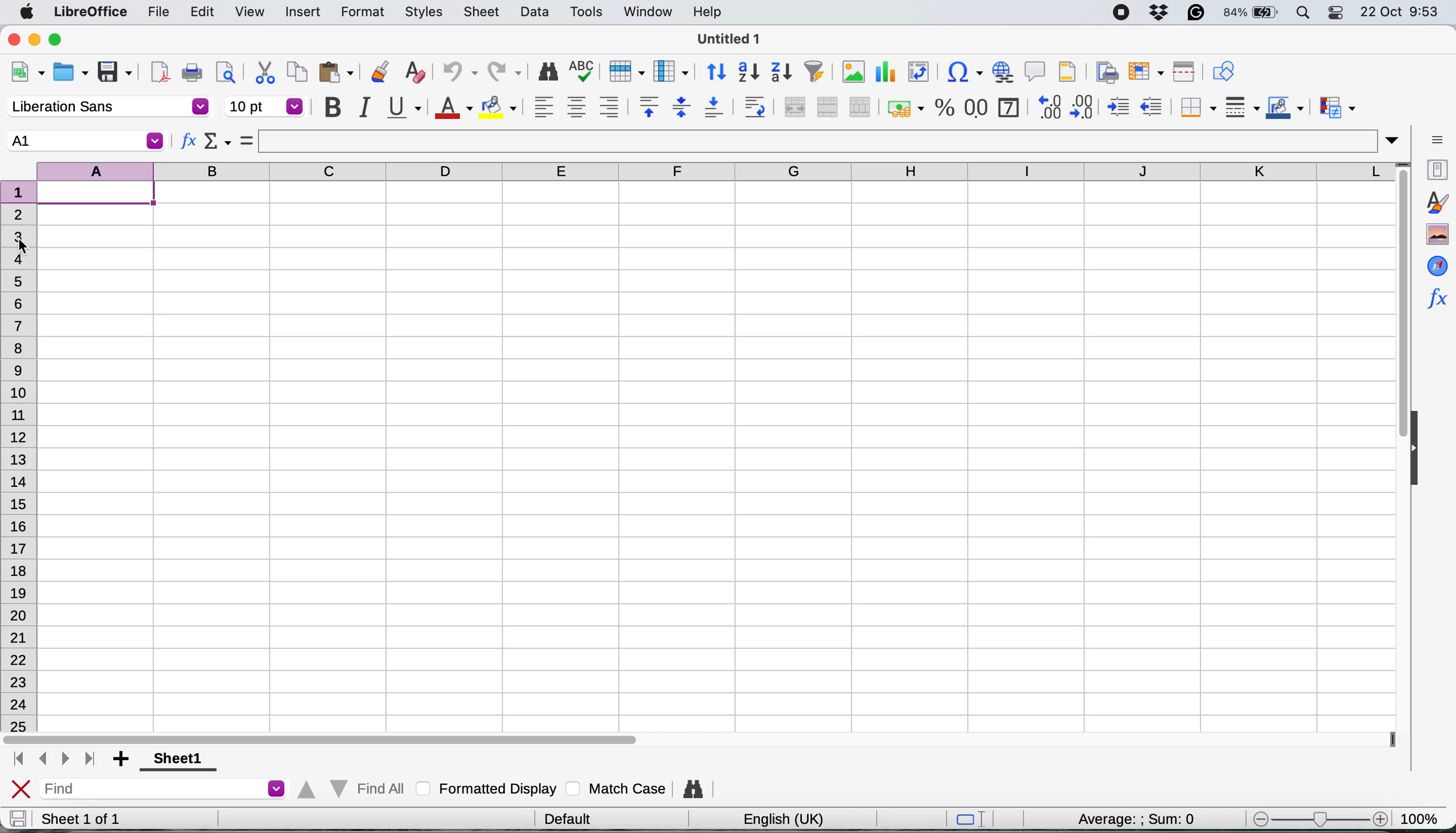 The width and height of the screenshot is (1456, 833). Describe the element at coordinates (1436, 296) in the screenshot. I see `function wizard` at that location.